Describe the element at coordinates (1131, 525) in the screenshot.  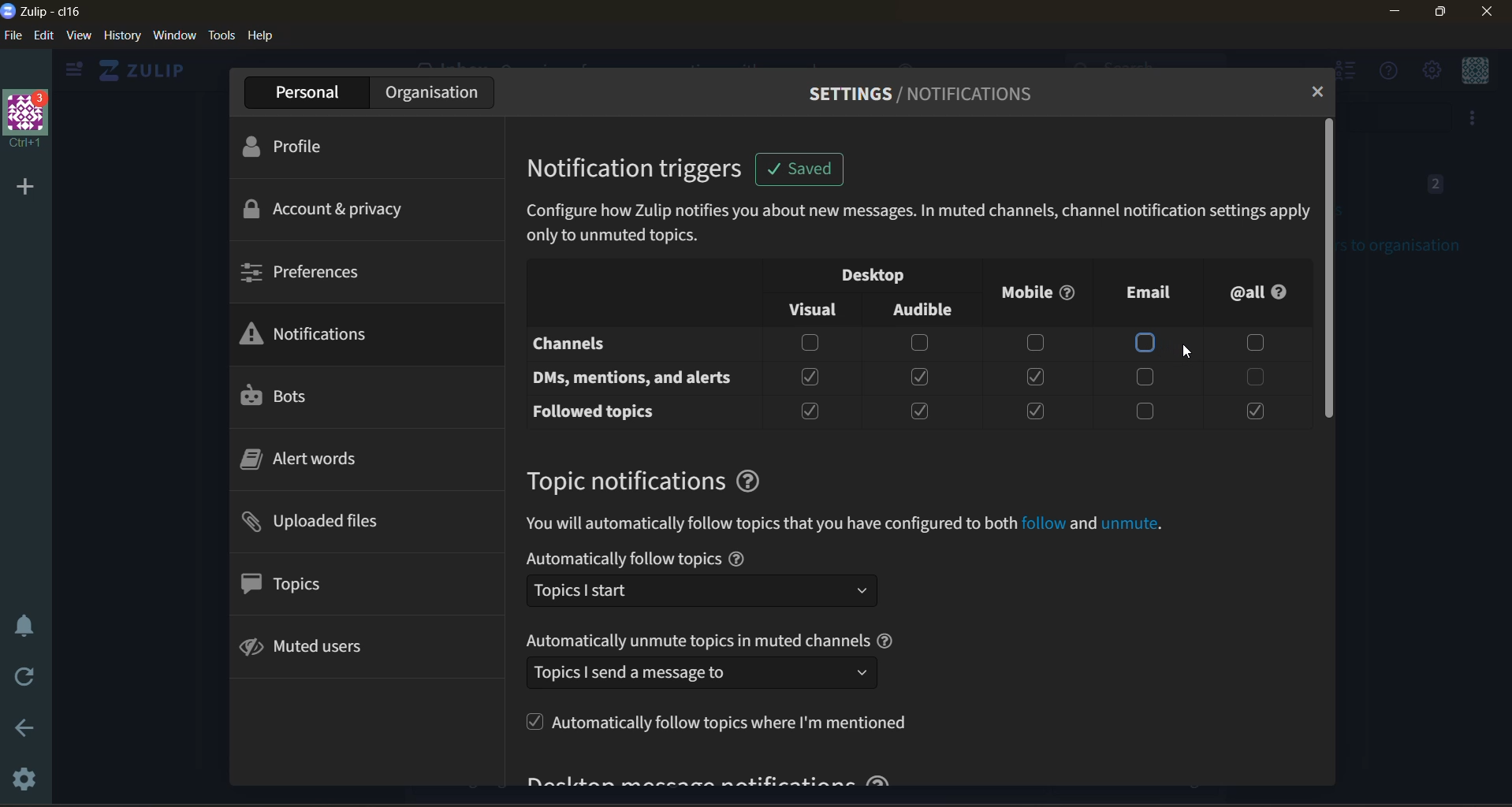
I see `unmute` at that location.